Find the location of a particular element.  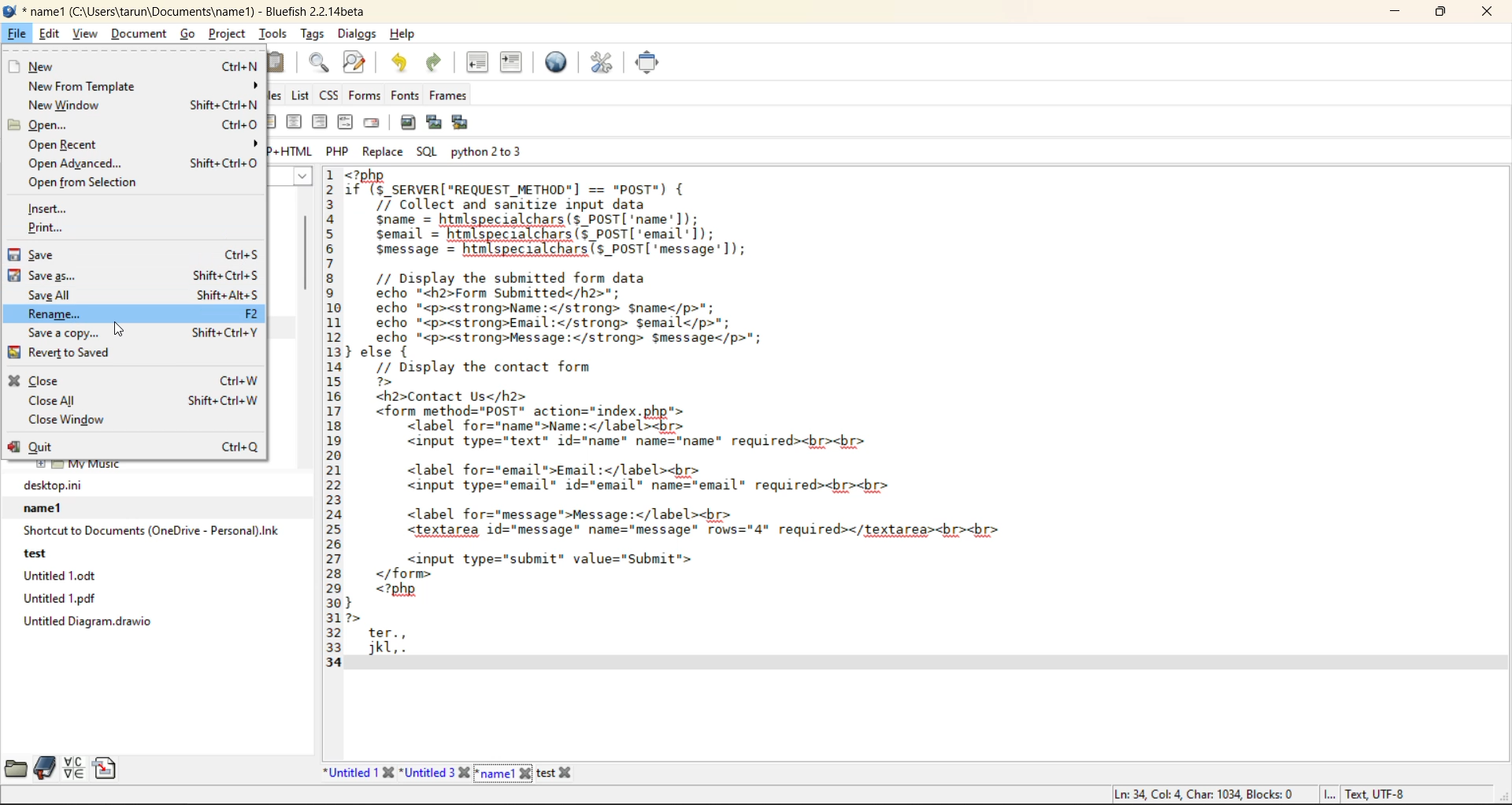

center is located at coordinates (292, 123).